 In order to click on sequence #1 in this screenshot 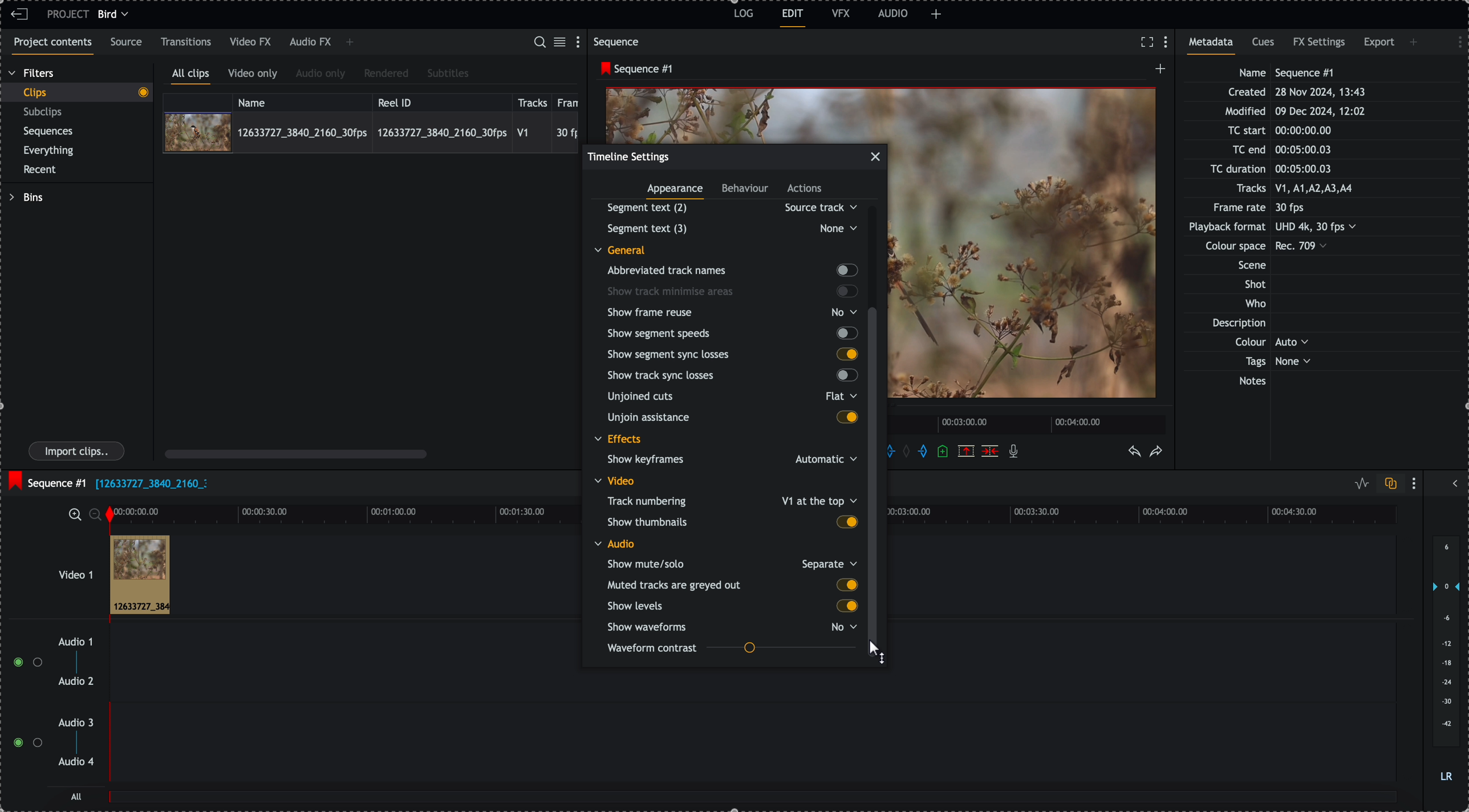, I will do `click(634, 69)`.